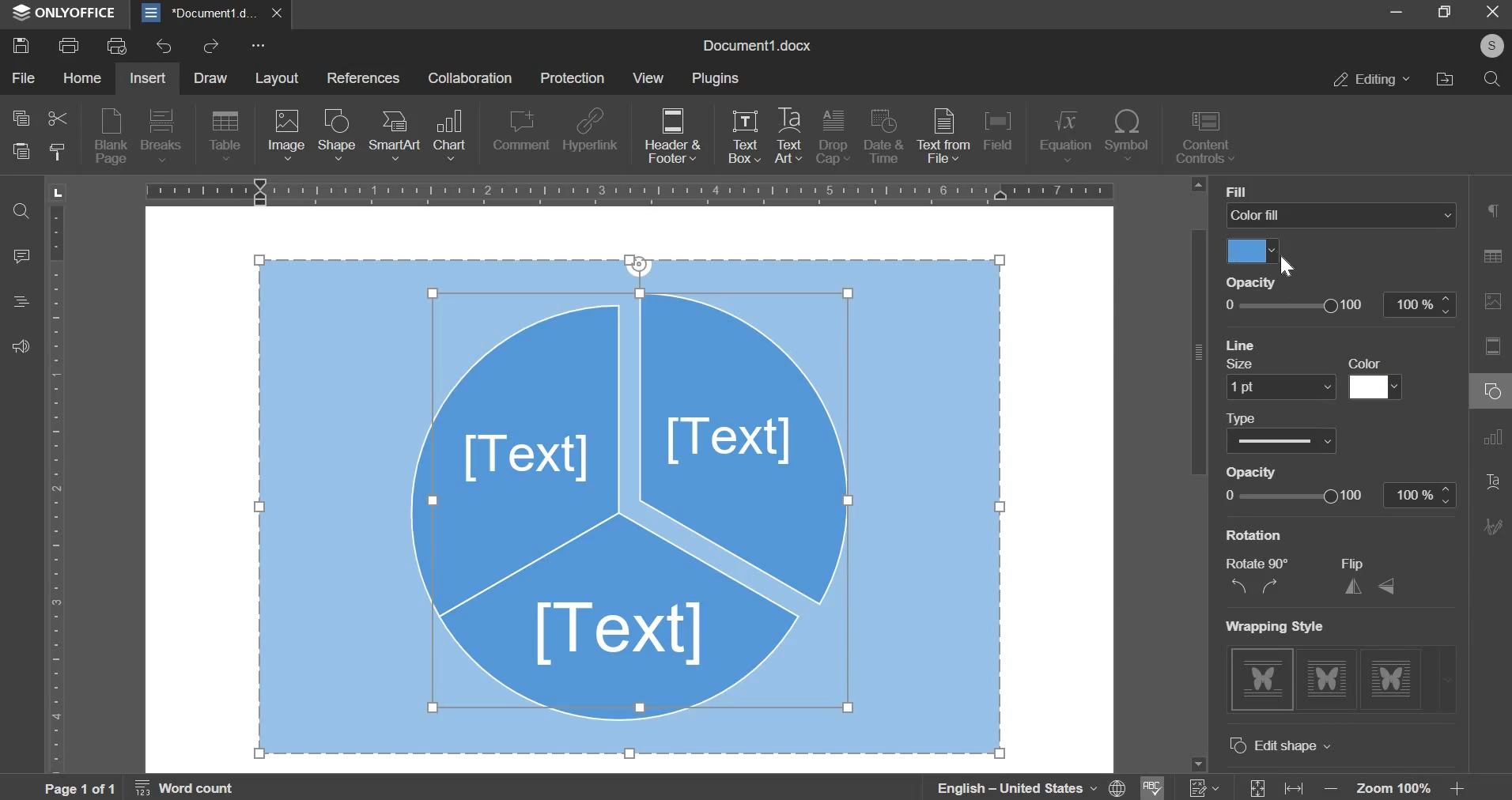  Describe the element at coordinates (788, 139) in the screenshot. I see `text art` at that location.